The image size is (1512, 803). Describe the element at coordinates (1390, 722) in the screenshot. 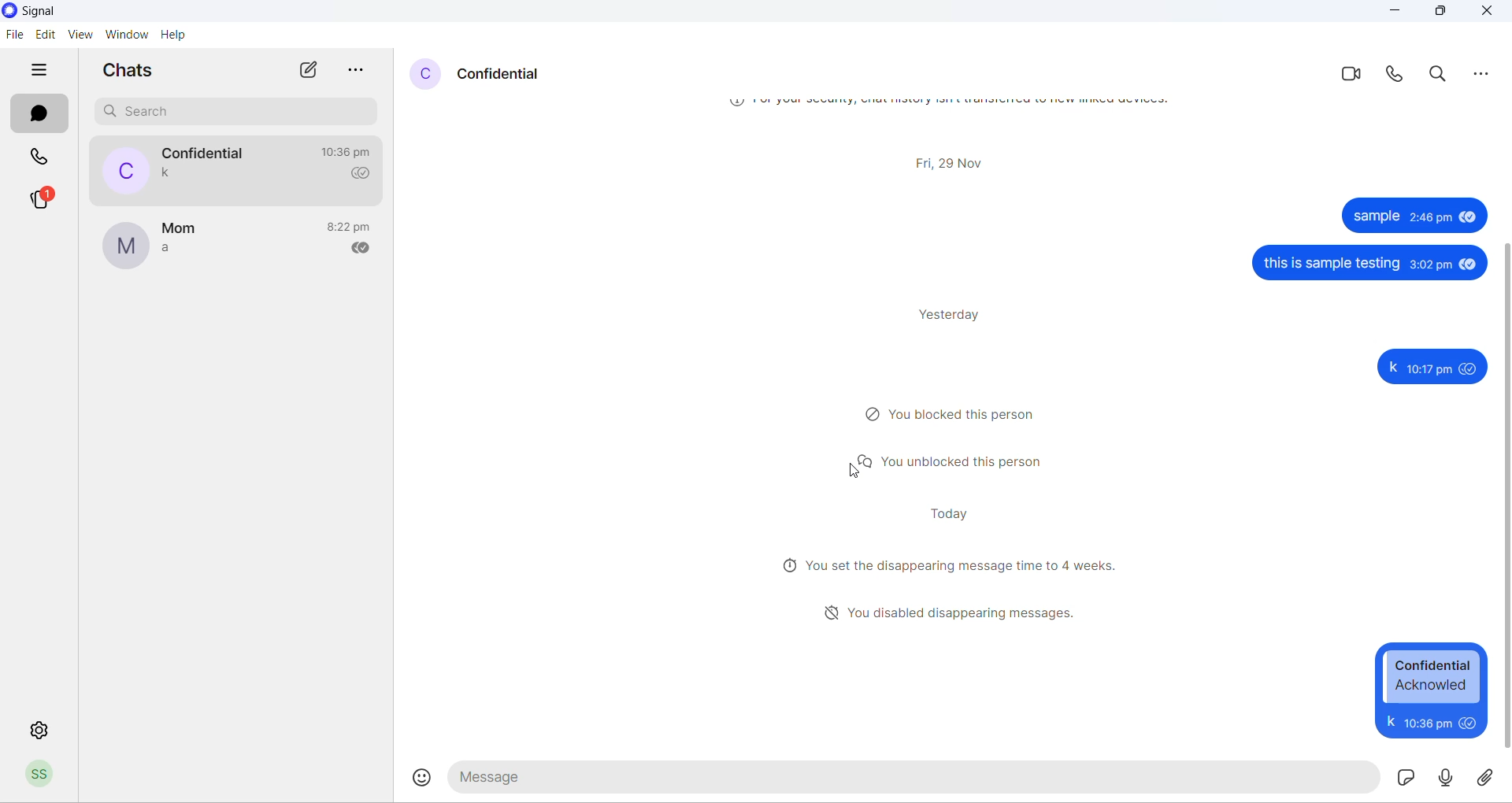

I see `k` at that location.